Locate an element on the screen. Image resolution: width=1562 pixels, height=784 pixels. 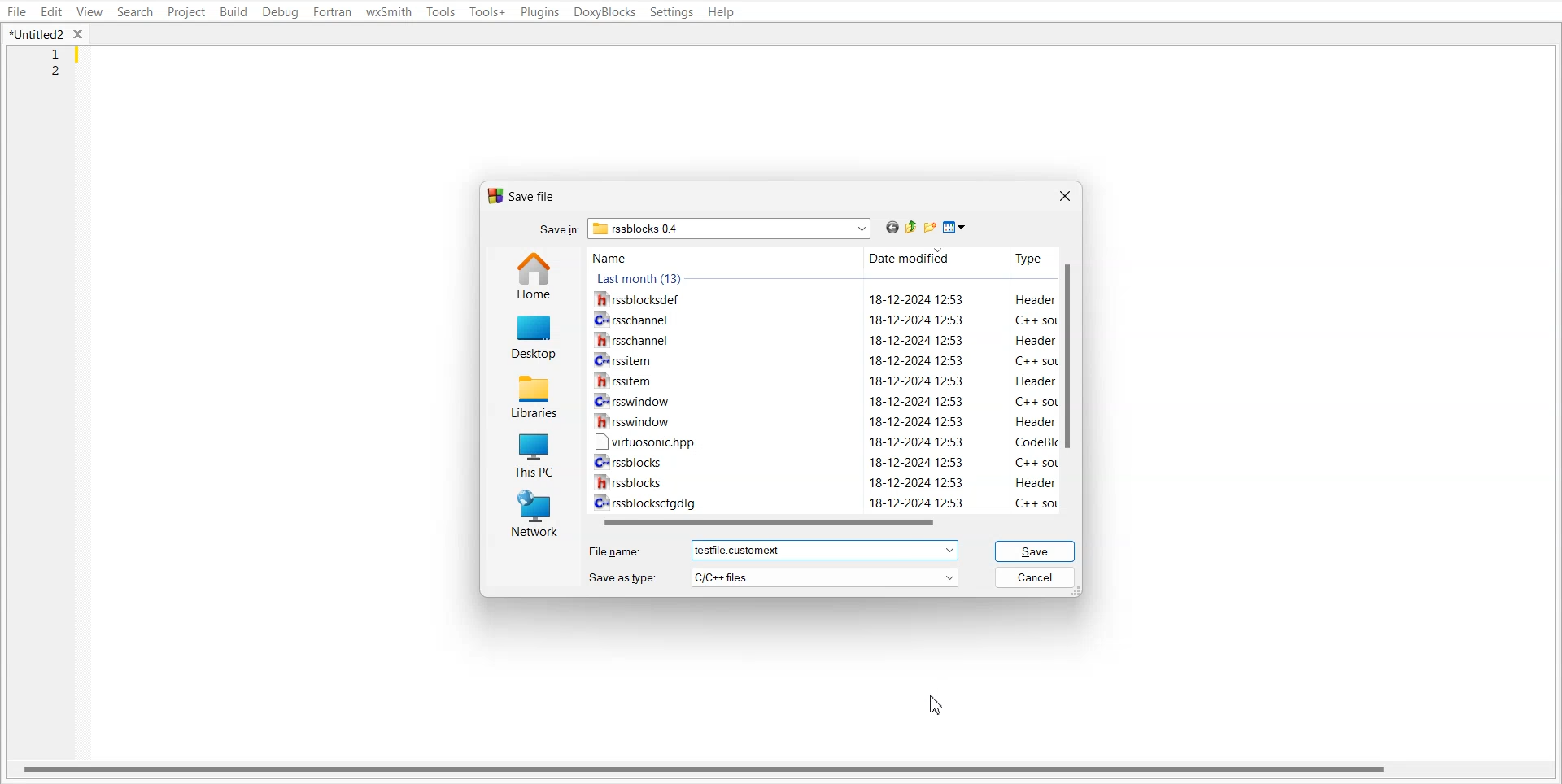
Text is located at coordinates (639, 277).